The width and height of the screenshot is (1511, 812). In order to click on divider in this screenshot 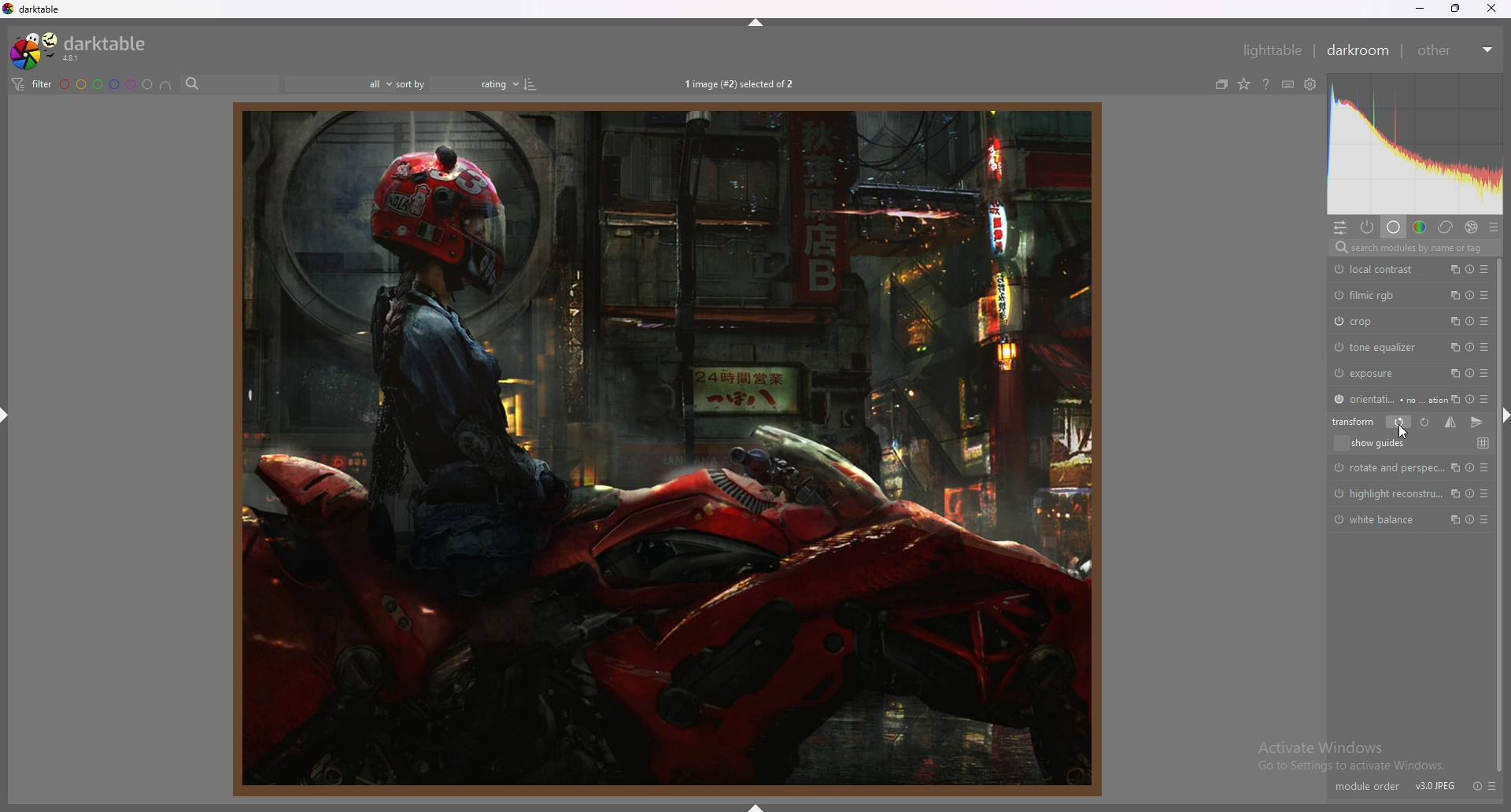, I will do `click(1314, 51)`.